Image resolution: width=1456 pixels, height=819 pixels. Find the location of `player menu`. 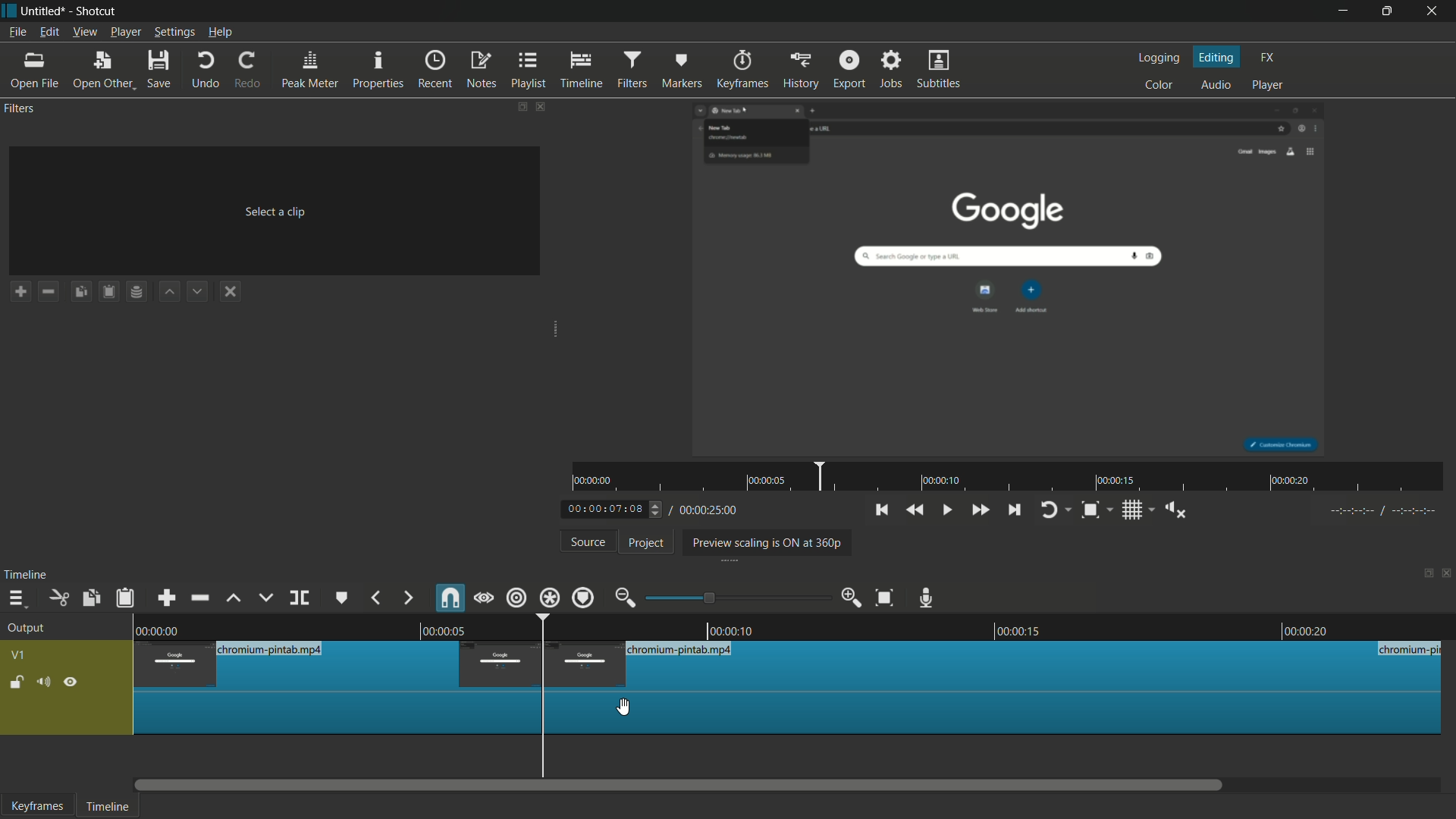

player menu is located at coordinates (127, 31).